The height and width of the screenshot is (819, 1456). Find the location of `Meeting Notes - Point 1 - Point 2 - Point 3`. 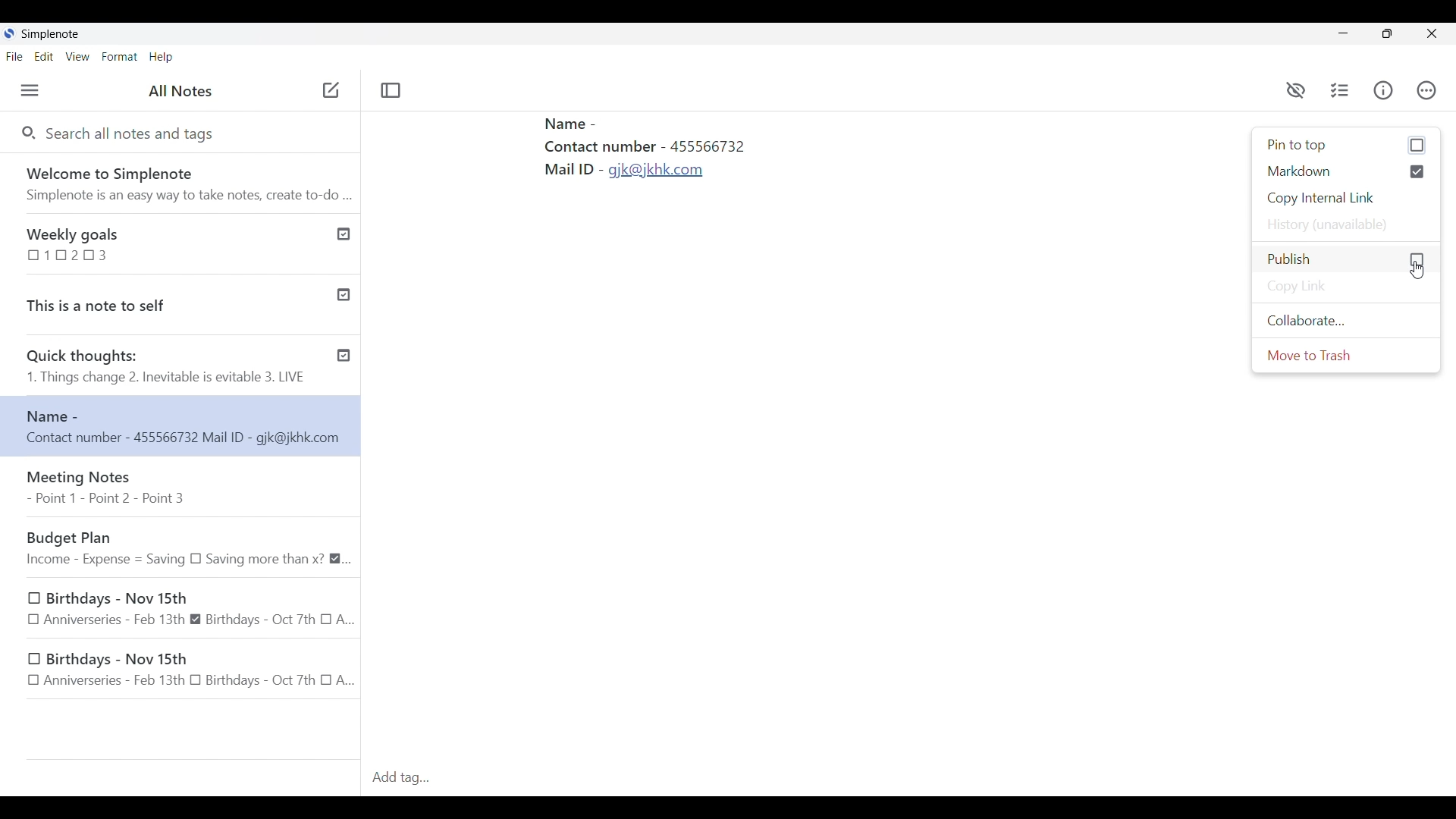

Meeting Notes - Point 1 - Point 2 - Point 3 is located at coordinates (183, 488).